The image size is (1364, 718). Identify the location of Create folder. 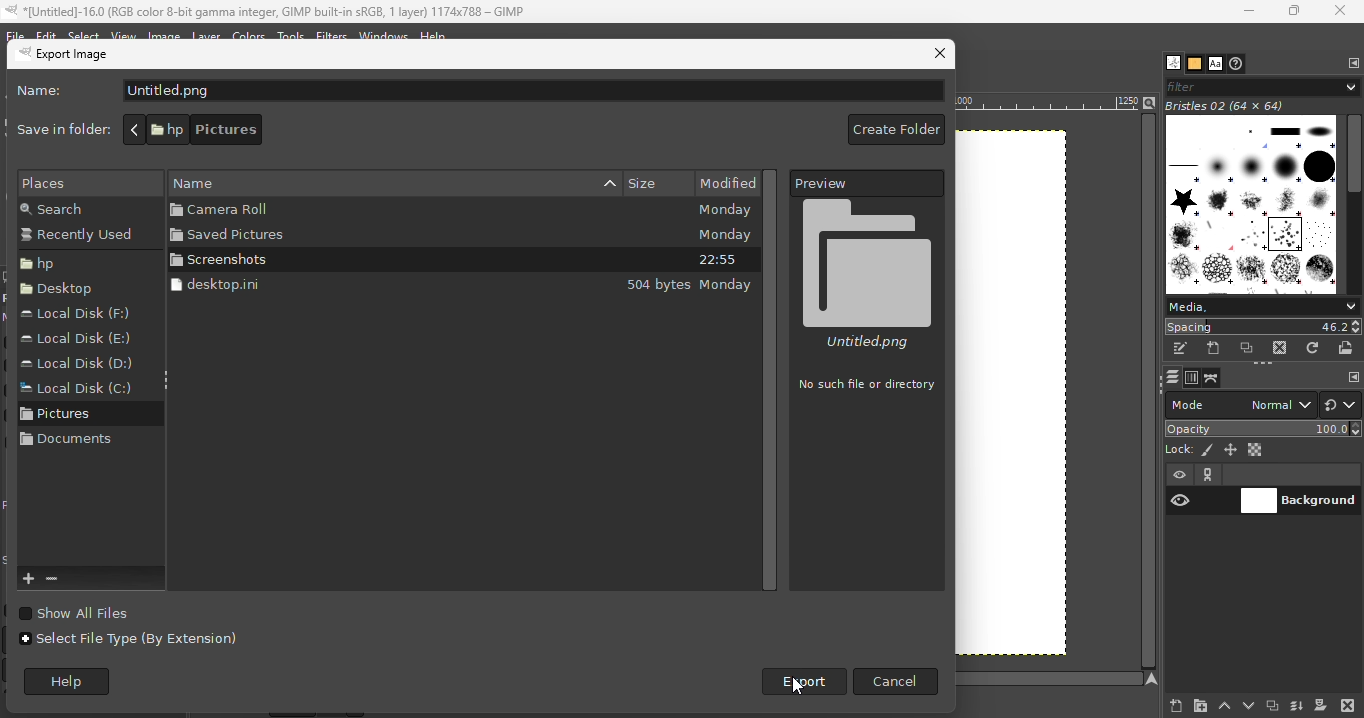
(893, 131).